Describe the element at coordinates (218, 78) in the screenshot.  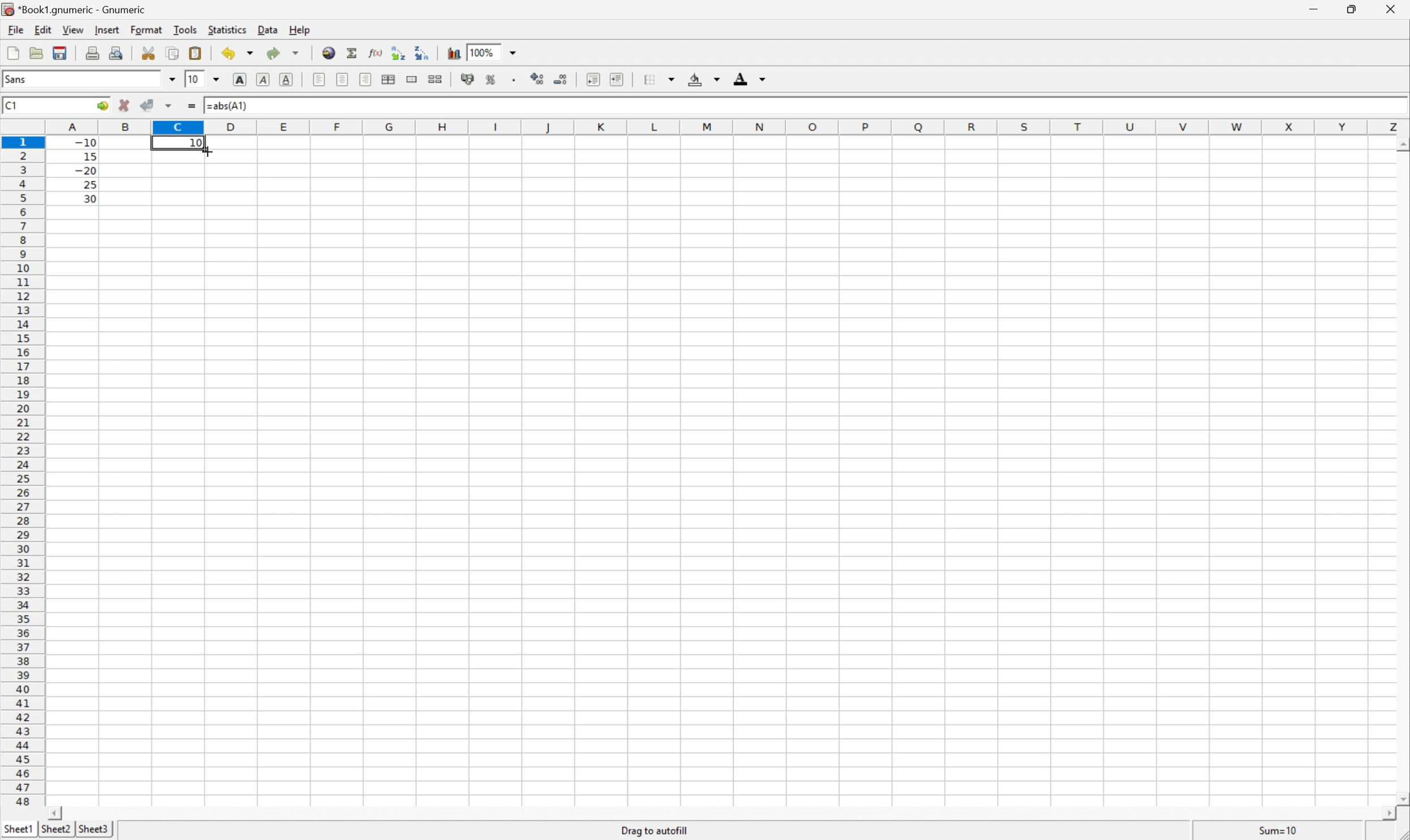
I see `Drop Down` at that location.